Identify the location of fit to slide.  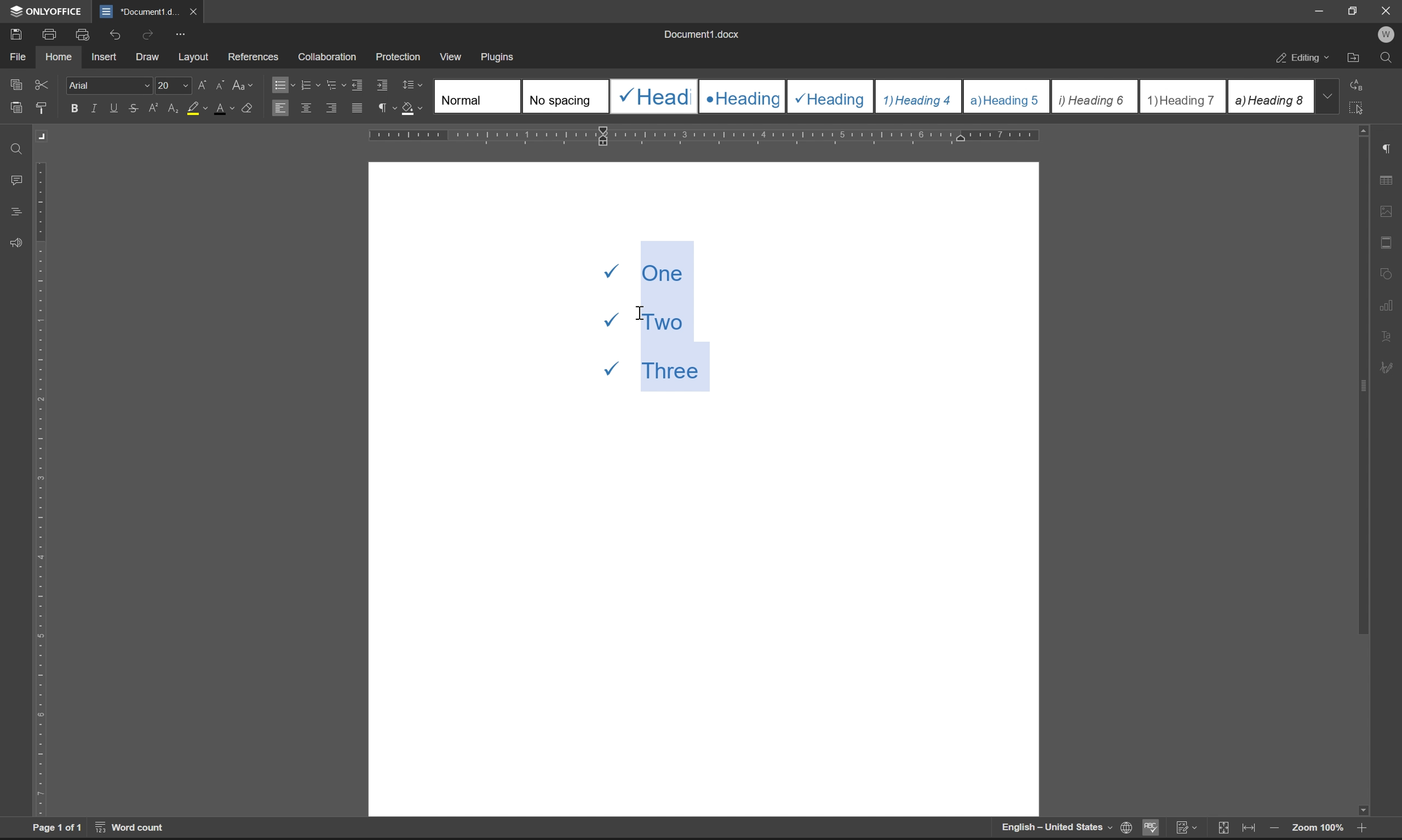
(1223, 829).